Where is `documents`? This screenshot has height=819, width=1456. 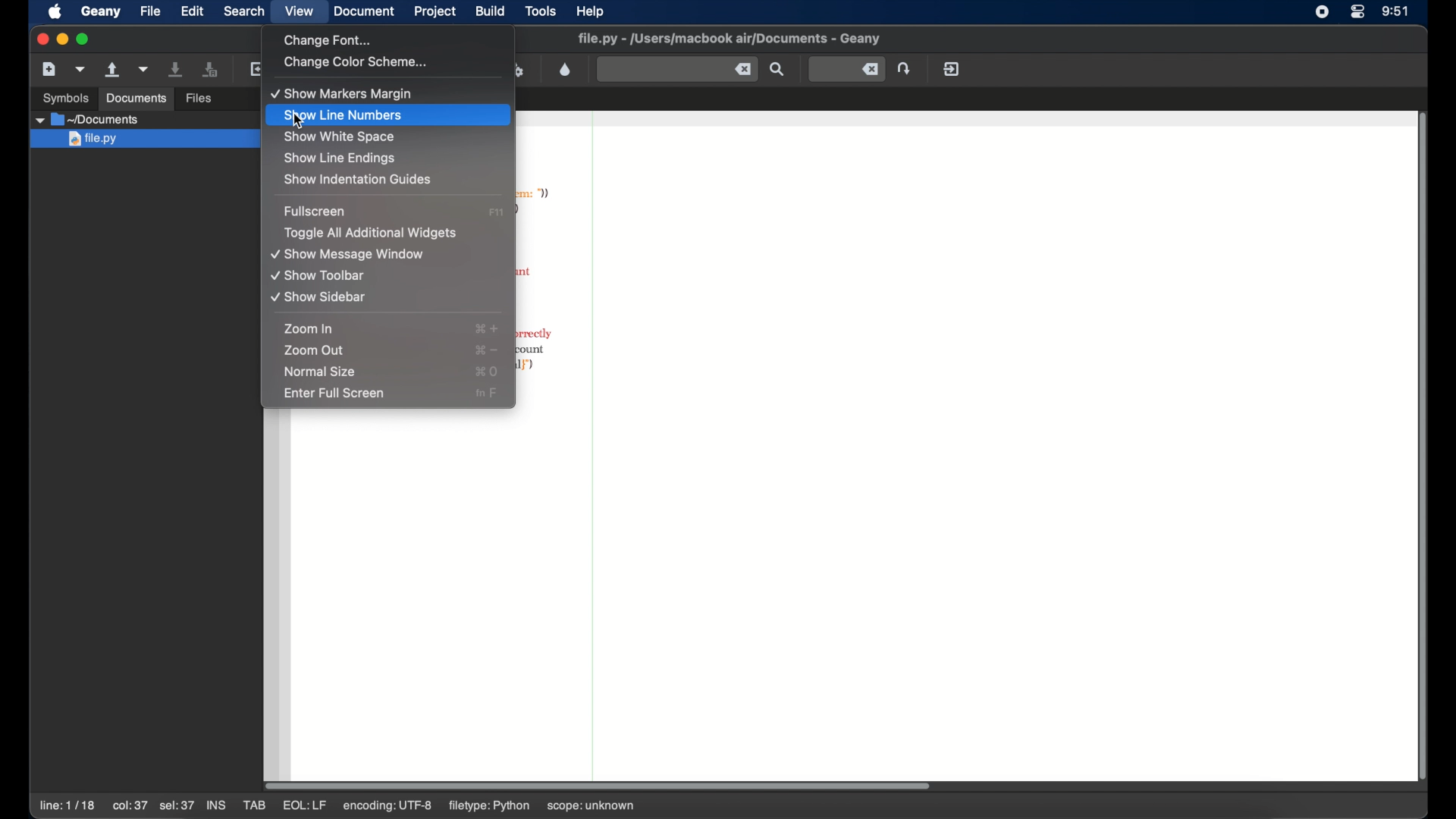 documents is located at coordinates (87, 120).